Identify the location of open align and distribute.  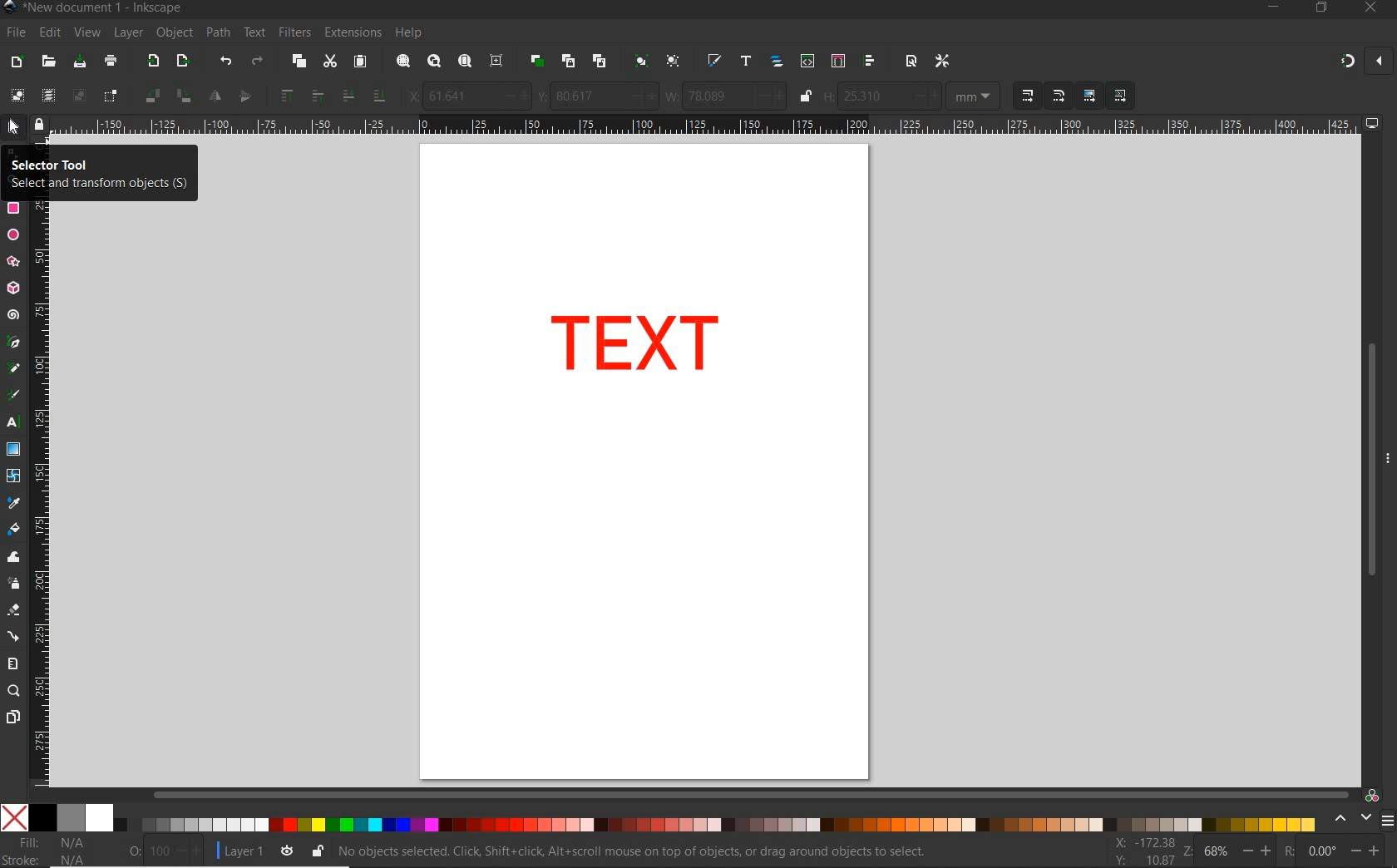
(871, 62).